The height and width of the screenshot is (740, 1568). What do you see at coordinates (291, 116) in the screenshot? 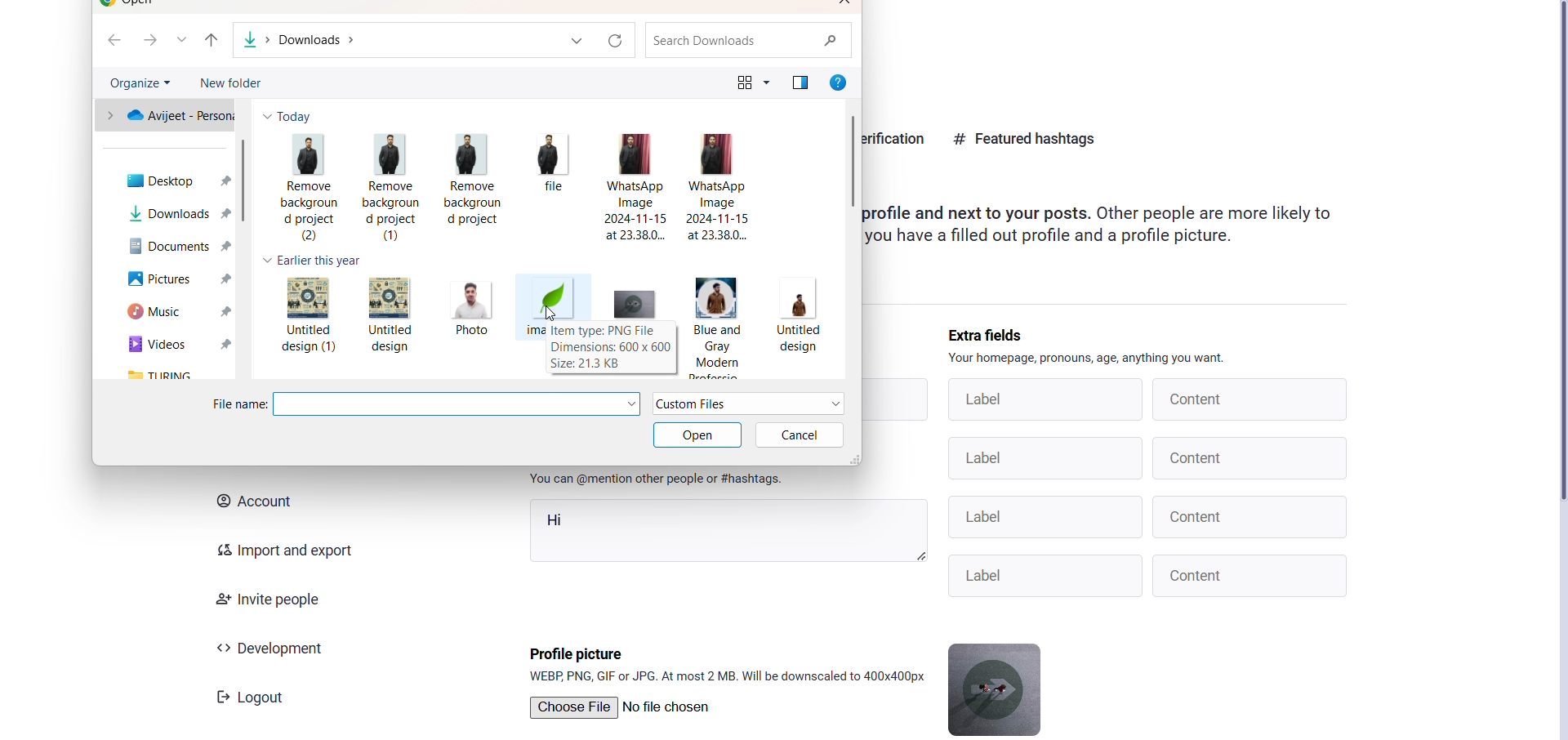
I see `today` at bounding box center [291, 116].